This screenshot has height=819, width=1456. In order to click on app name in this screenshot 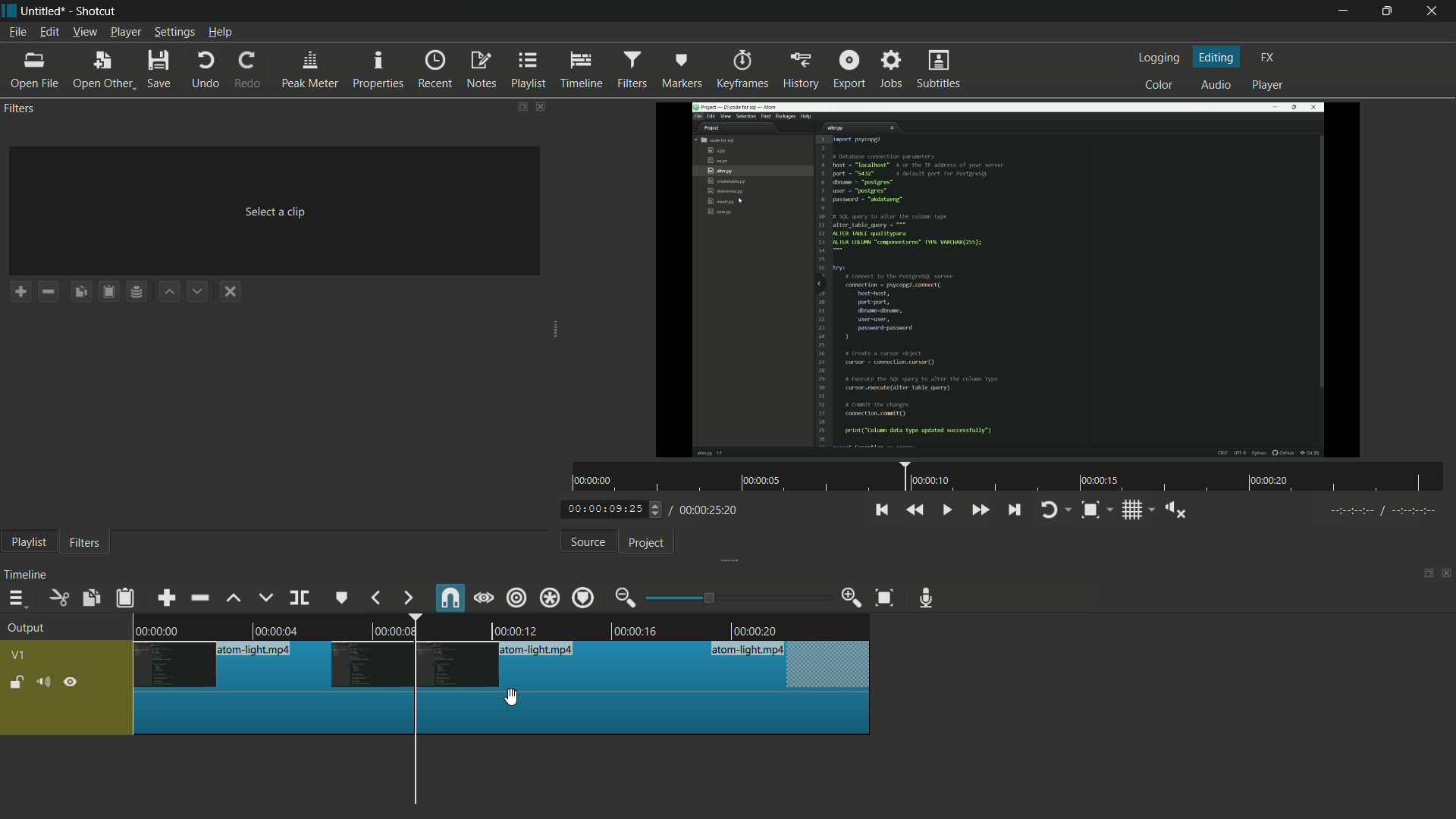, I will do `click(97, 11)`.